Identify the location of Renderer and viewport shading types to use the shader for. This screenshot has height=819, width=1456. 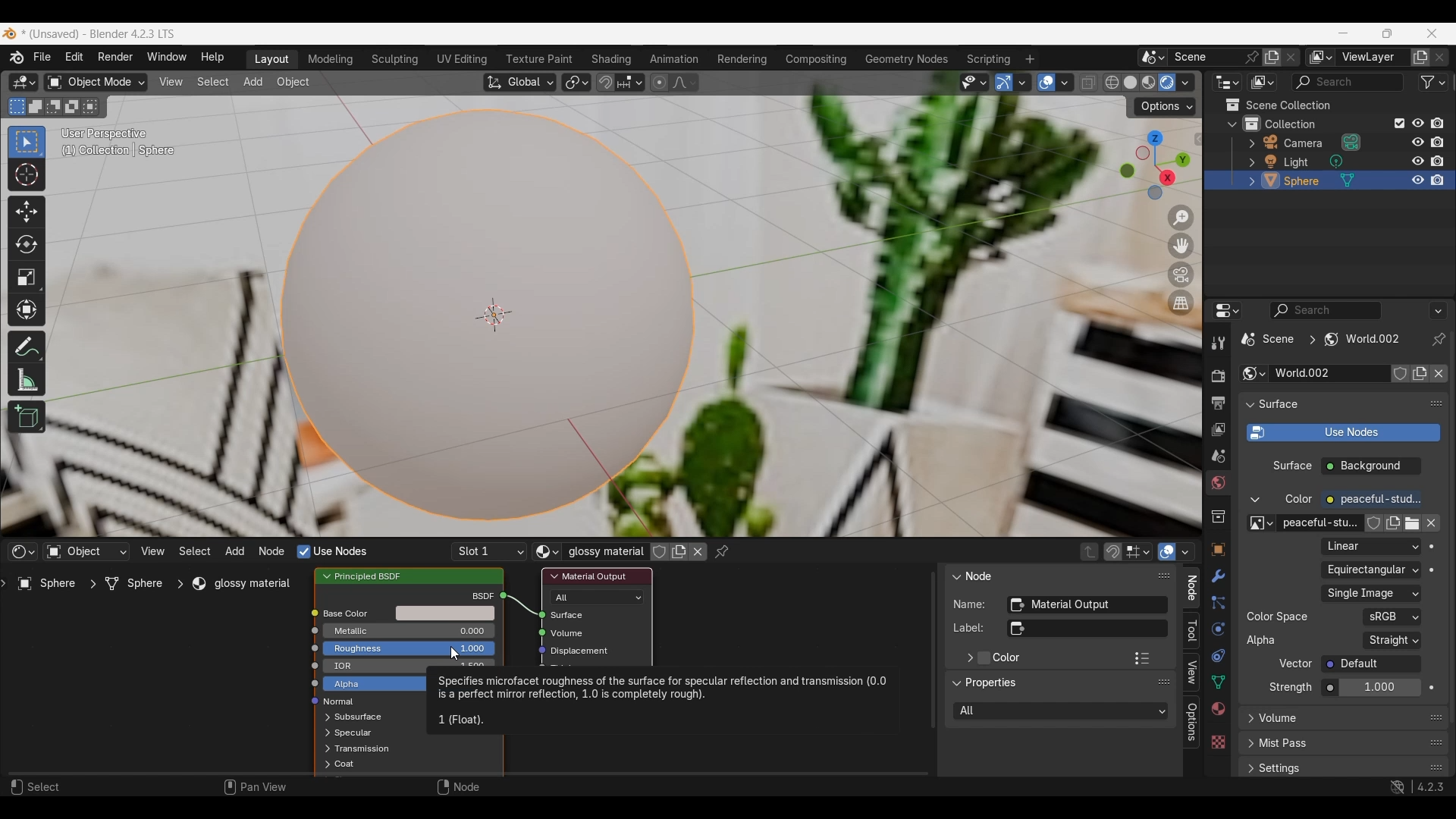
(598, 597).